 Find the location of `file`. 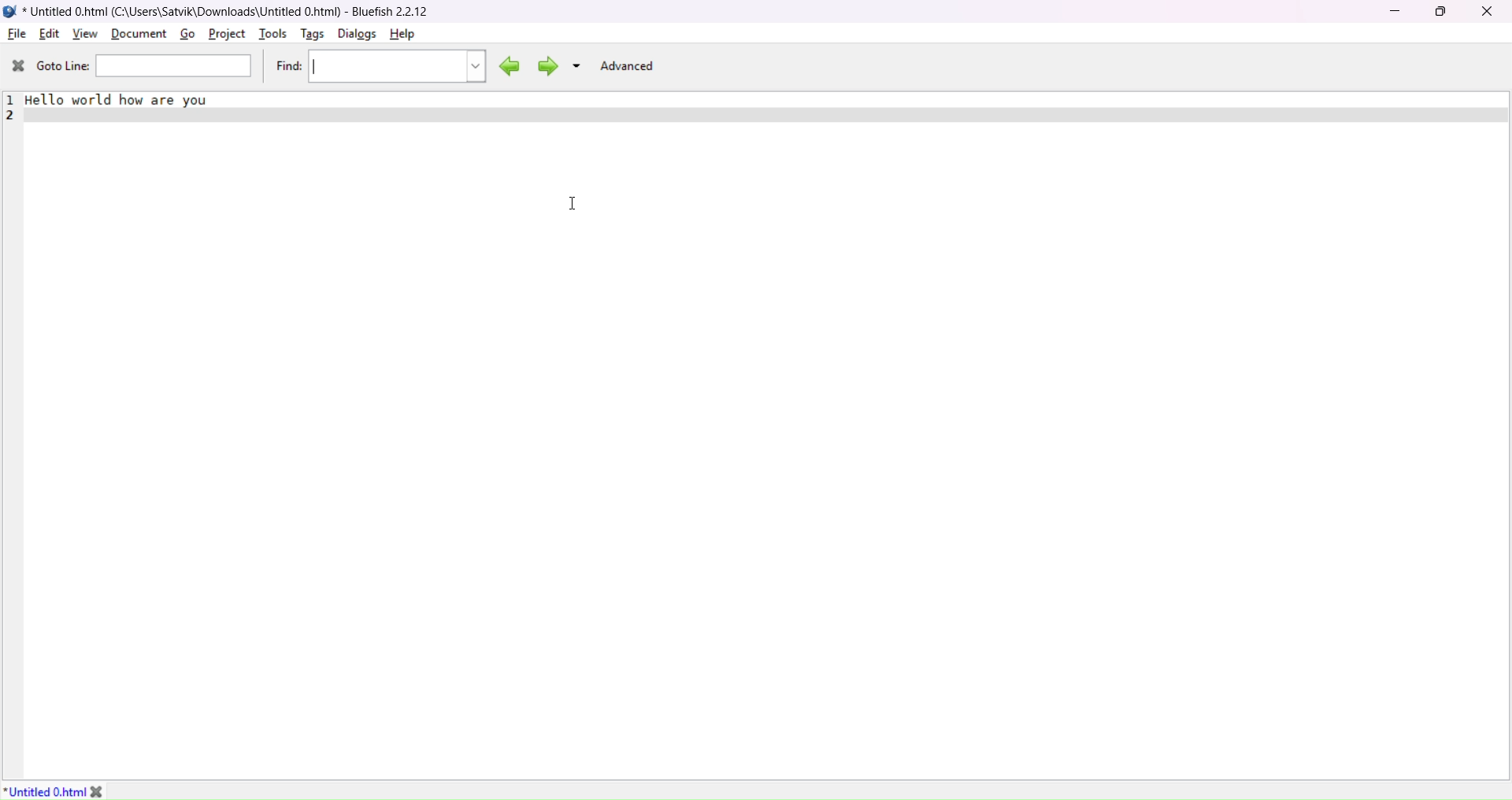

file is located at coordinates (18, 34).